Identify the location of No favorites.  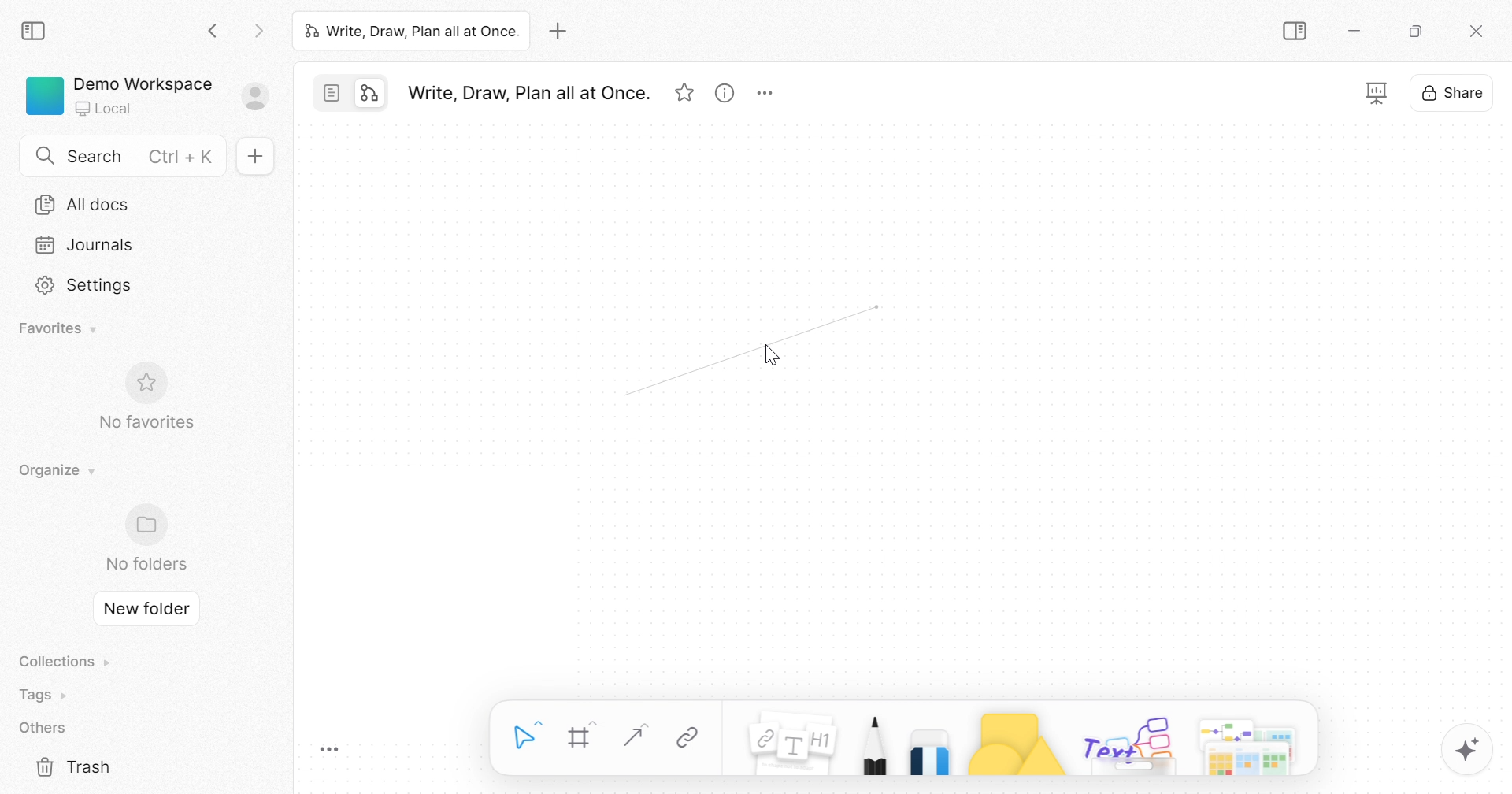
(144, 422).